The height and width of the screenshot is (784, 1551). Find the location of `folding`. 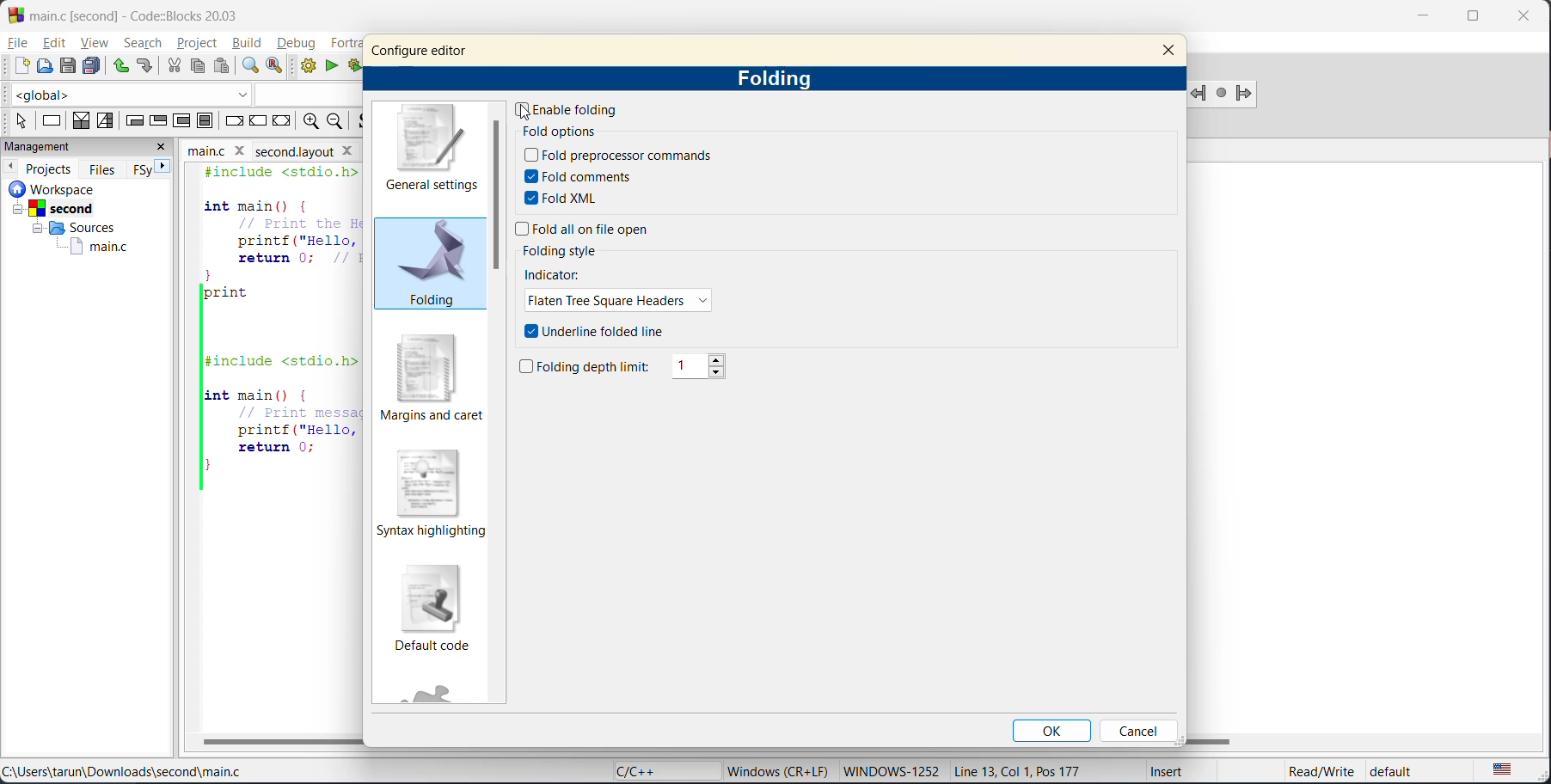

folding is located at coordinates (434, 269).